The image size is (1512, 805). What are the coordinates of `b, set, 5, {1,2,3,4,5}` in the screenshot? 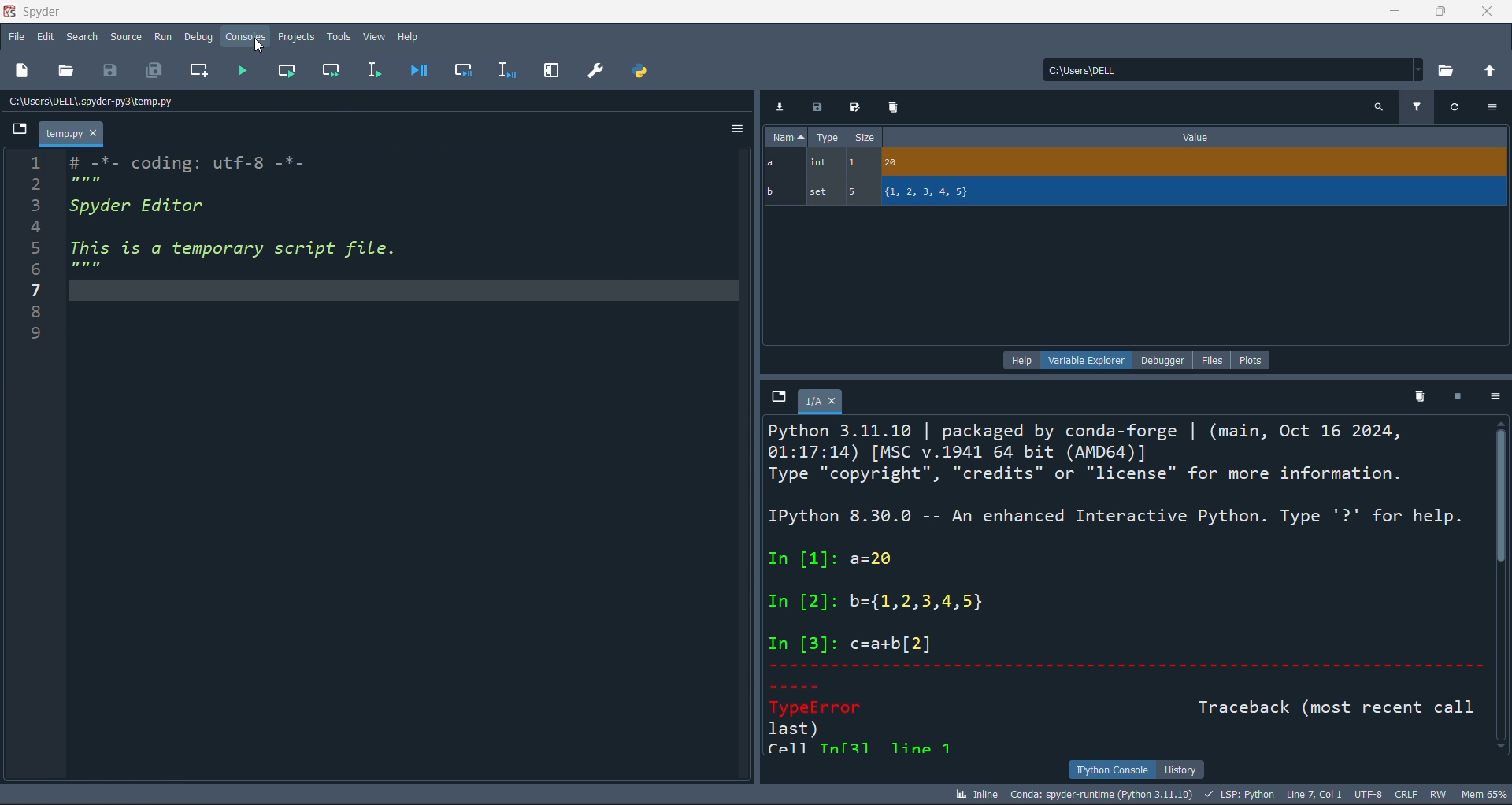 It's located at (1135, 194).